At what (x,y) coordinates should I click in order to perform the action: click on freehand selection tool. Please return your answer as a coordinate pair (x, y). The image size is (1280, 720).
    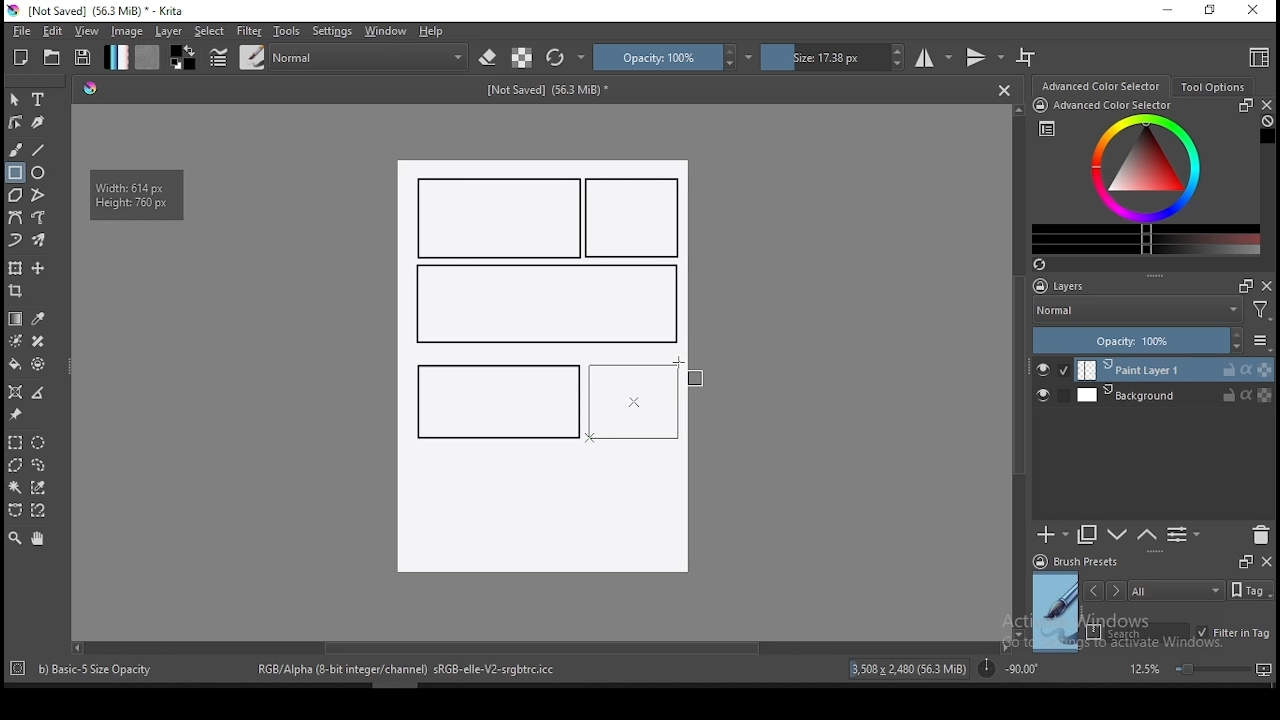
    Looking at the image, I should click on (39, 465).